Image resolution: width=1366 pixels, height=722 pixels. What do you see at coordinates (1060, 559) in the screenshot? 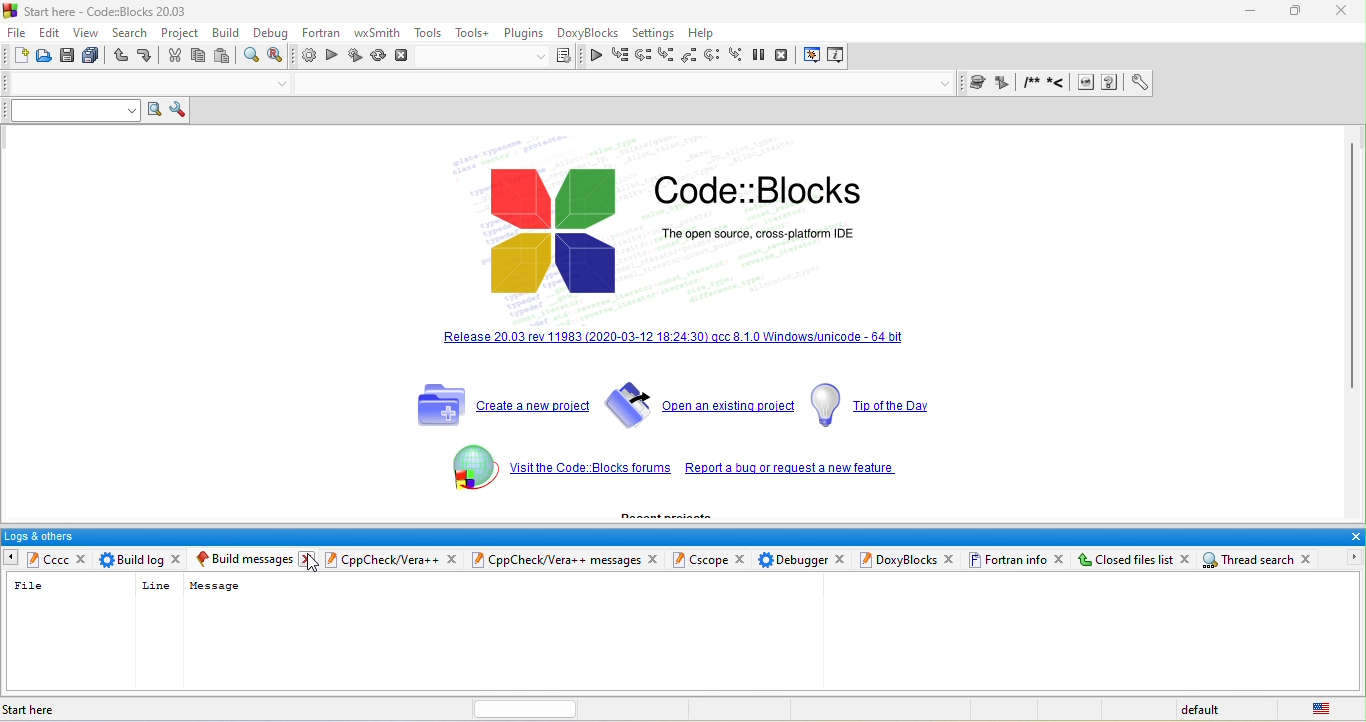
I see `close` at bounding box center [1060, 559].